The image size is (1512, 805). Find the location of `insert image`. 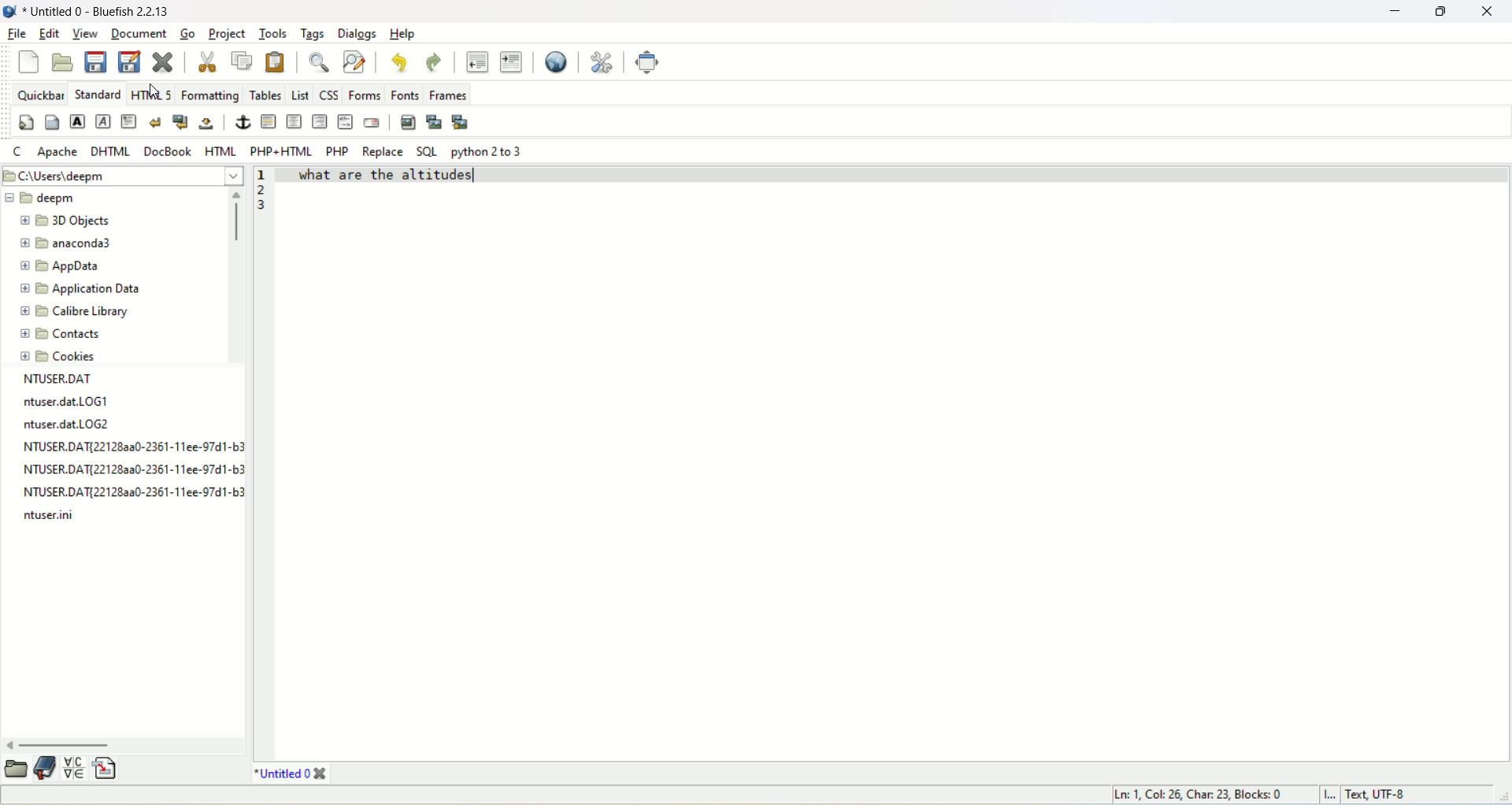

insert image is located at coordinates (408, 122).